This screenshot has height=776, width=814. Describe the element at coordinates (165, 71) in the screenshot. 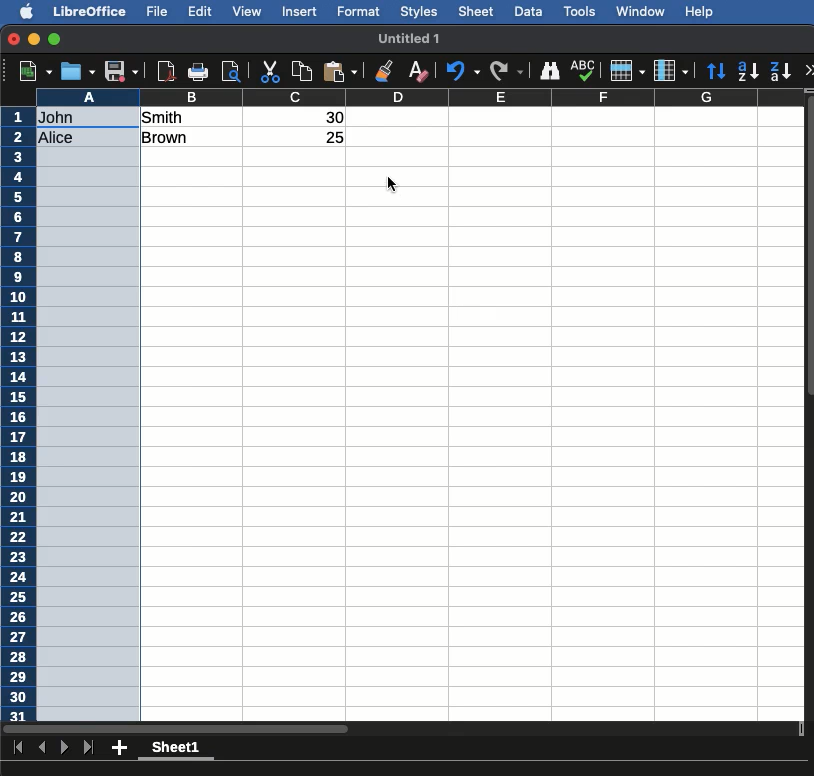

I see `Export to pdf` at that location.